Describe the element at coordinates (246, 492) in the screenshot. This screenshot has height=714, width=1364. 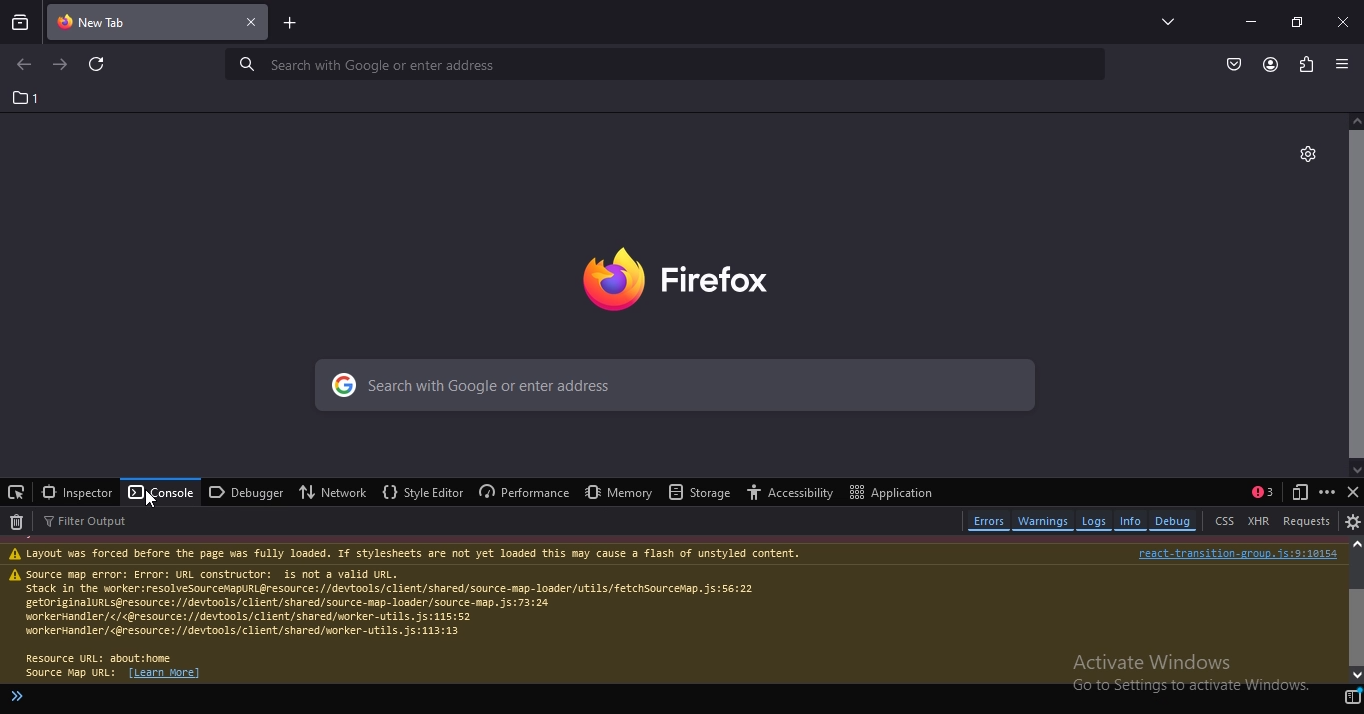
I see `debugger` at that location.